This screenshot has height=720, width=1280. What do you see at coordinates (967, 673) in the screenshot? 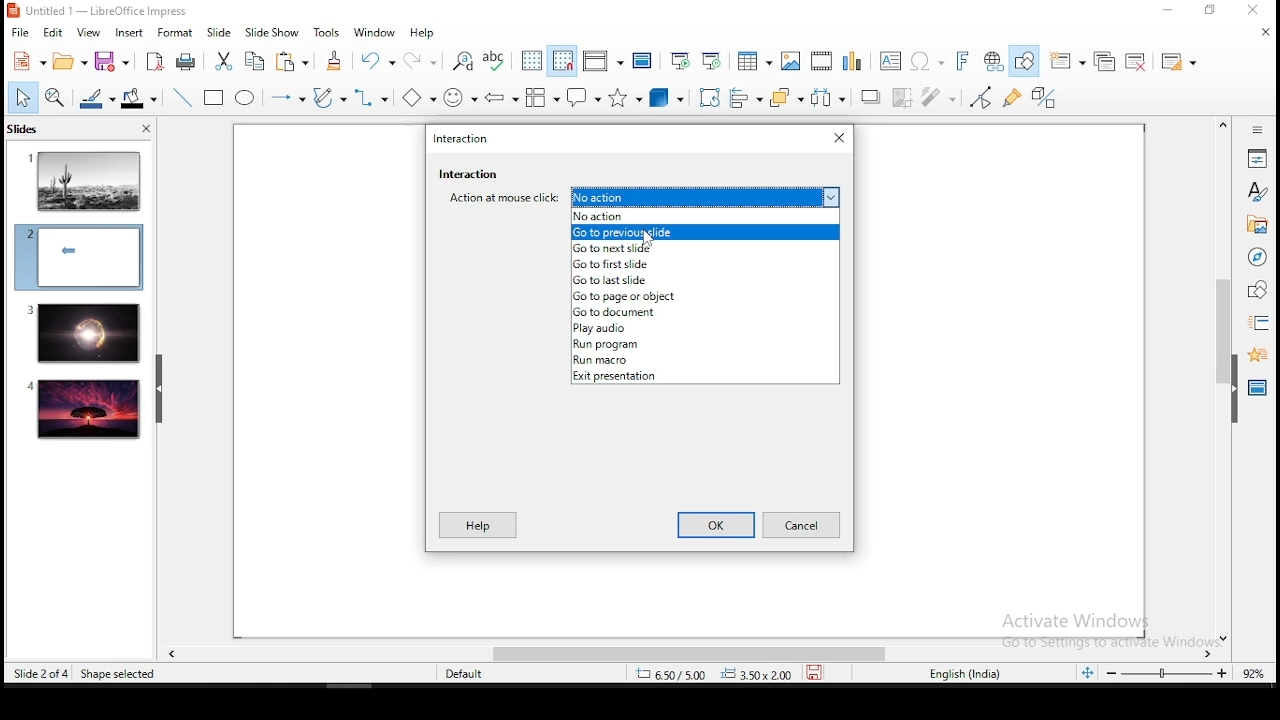
I see `english (india)` at bounding box center [967, 673].